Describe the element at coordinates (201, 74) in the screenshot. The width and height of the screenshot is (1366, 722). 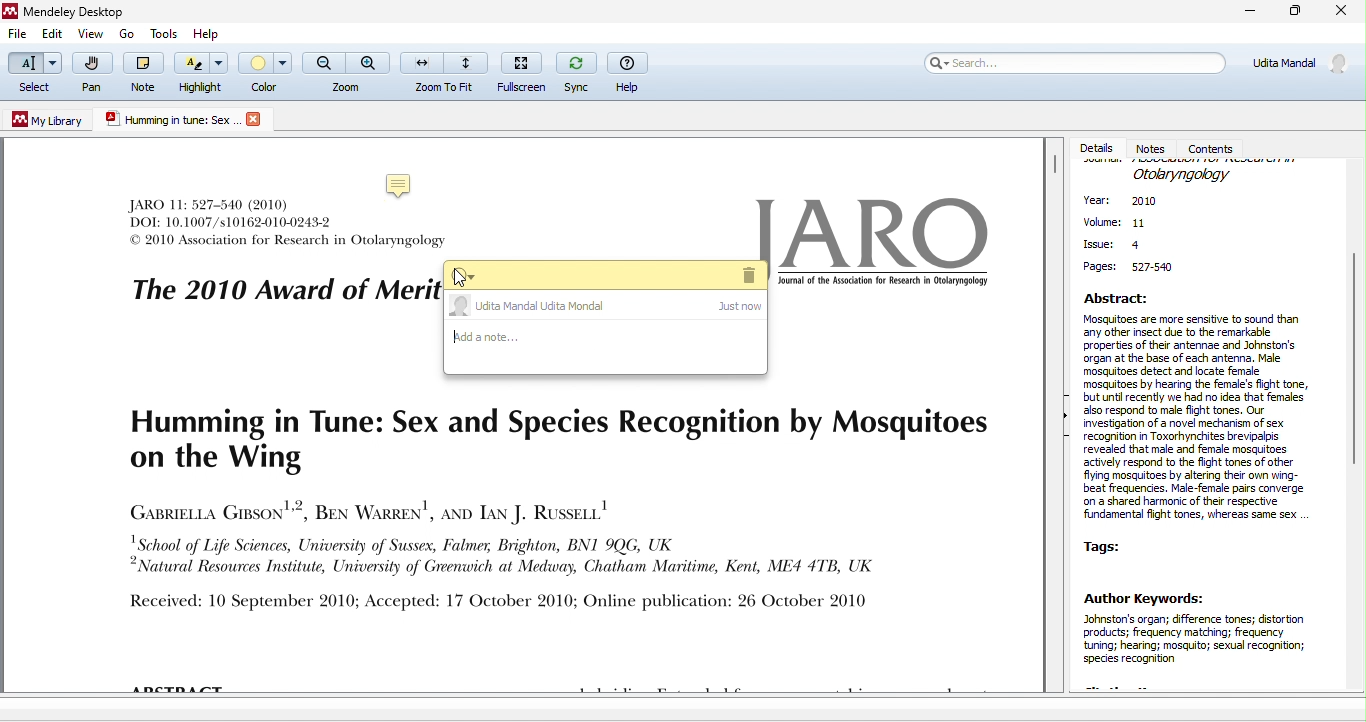
I see `highlight` at that location.